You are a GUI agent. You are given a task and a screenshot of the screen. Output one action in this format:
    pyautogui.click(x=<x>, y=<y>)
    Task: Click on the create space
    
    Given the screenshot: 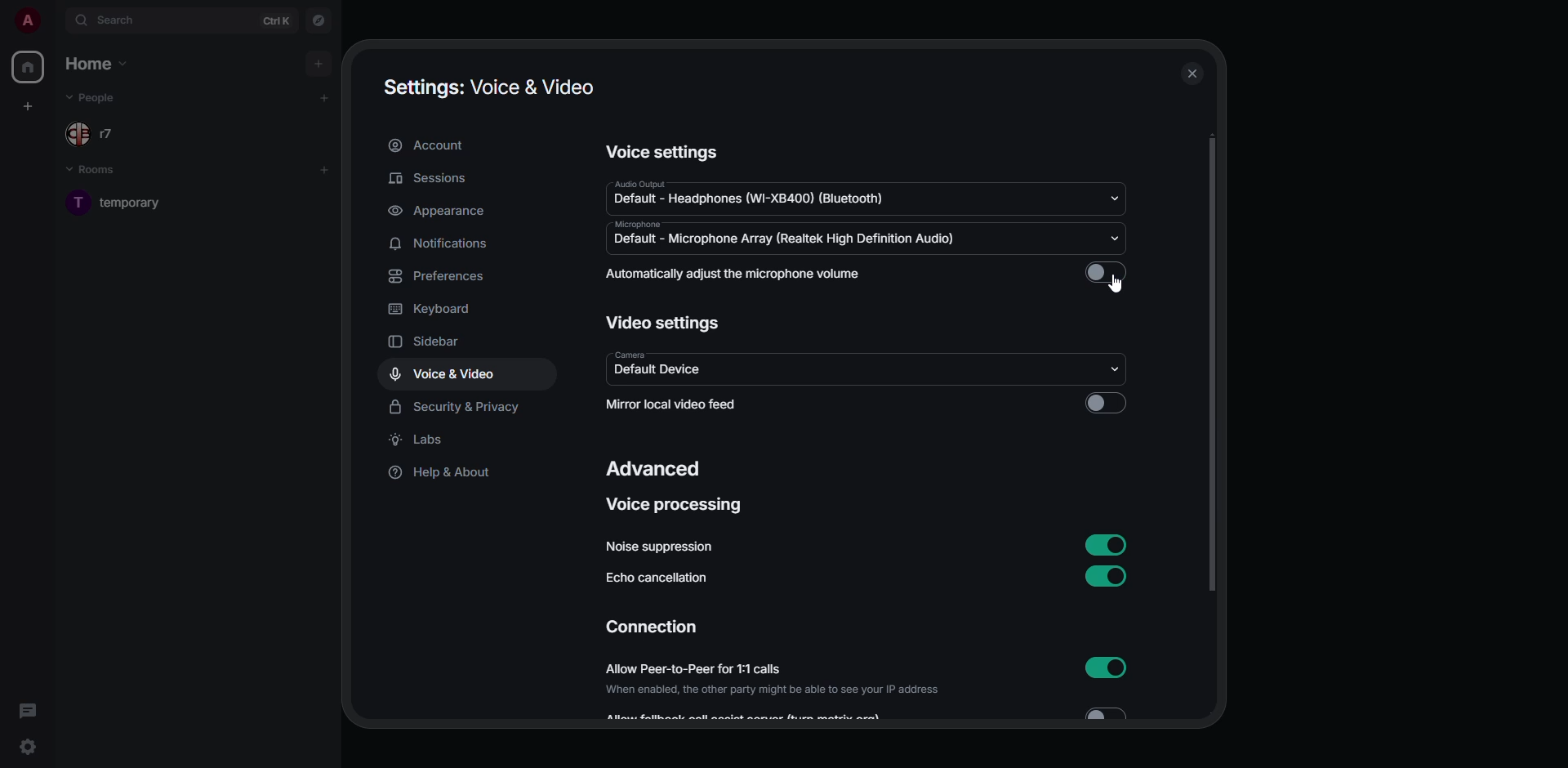 What is the action you would take?
    pyautogui.click(x=28, y=105)
    